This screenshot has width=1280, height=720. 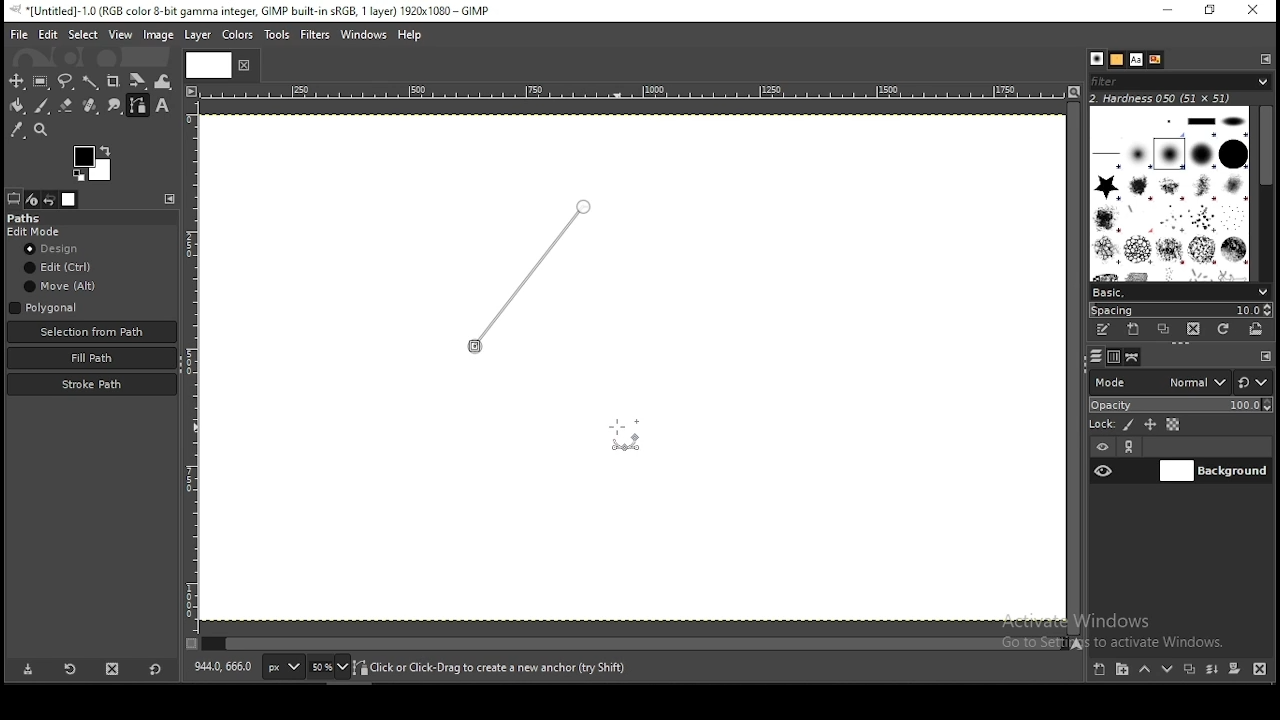 I want to click on color picker tool, so click(x=18, y=130).